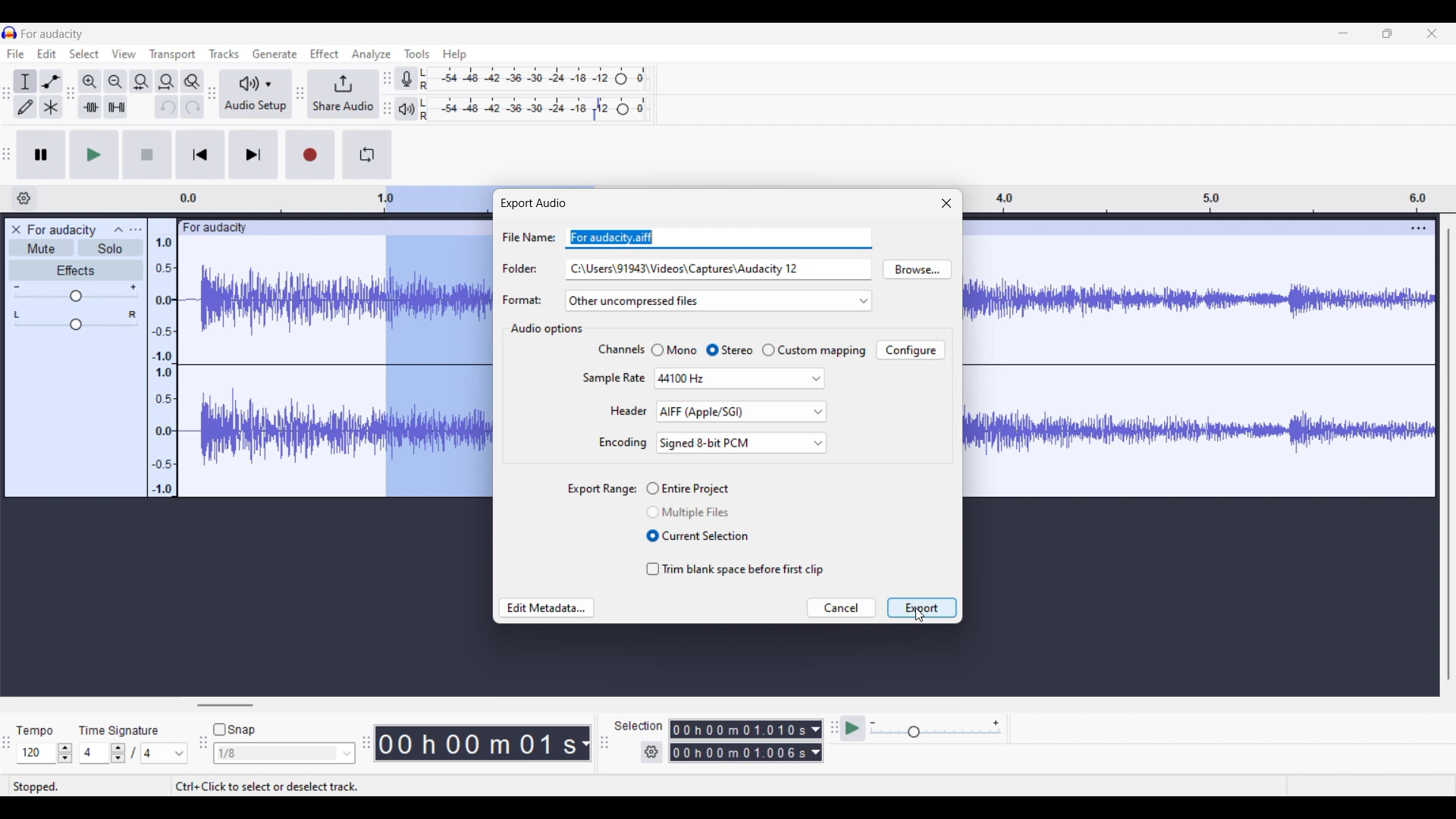  I want to click on Playback meter, so click(406, 108).